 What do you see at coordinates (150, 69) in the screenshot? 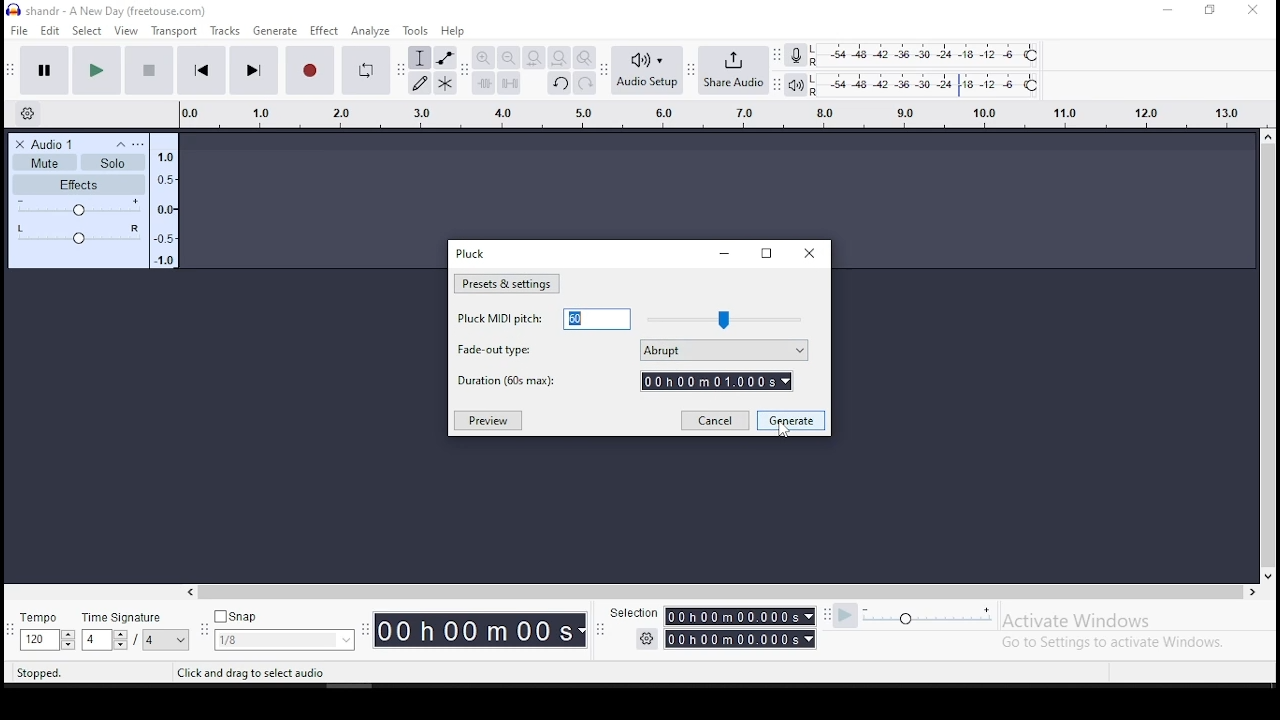
I see `stop` at bounding box center [150, 69].